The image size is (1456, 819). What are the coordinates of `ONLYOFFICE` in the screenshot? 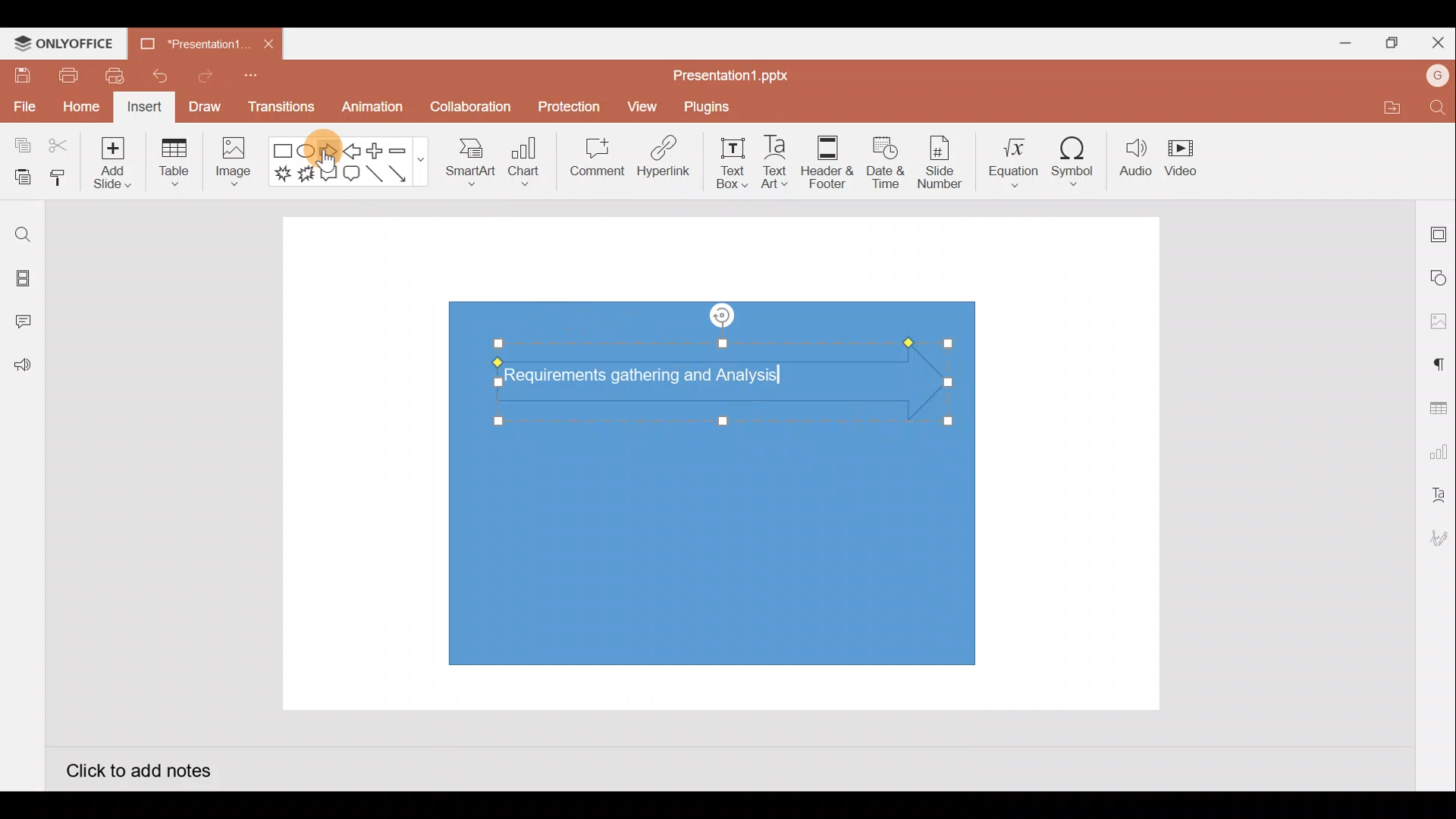 It's located at (64, 43).